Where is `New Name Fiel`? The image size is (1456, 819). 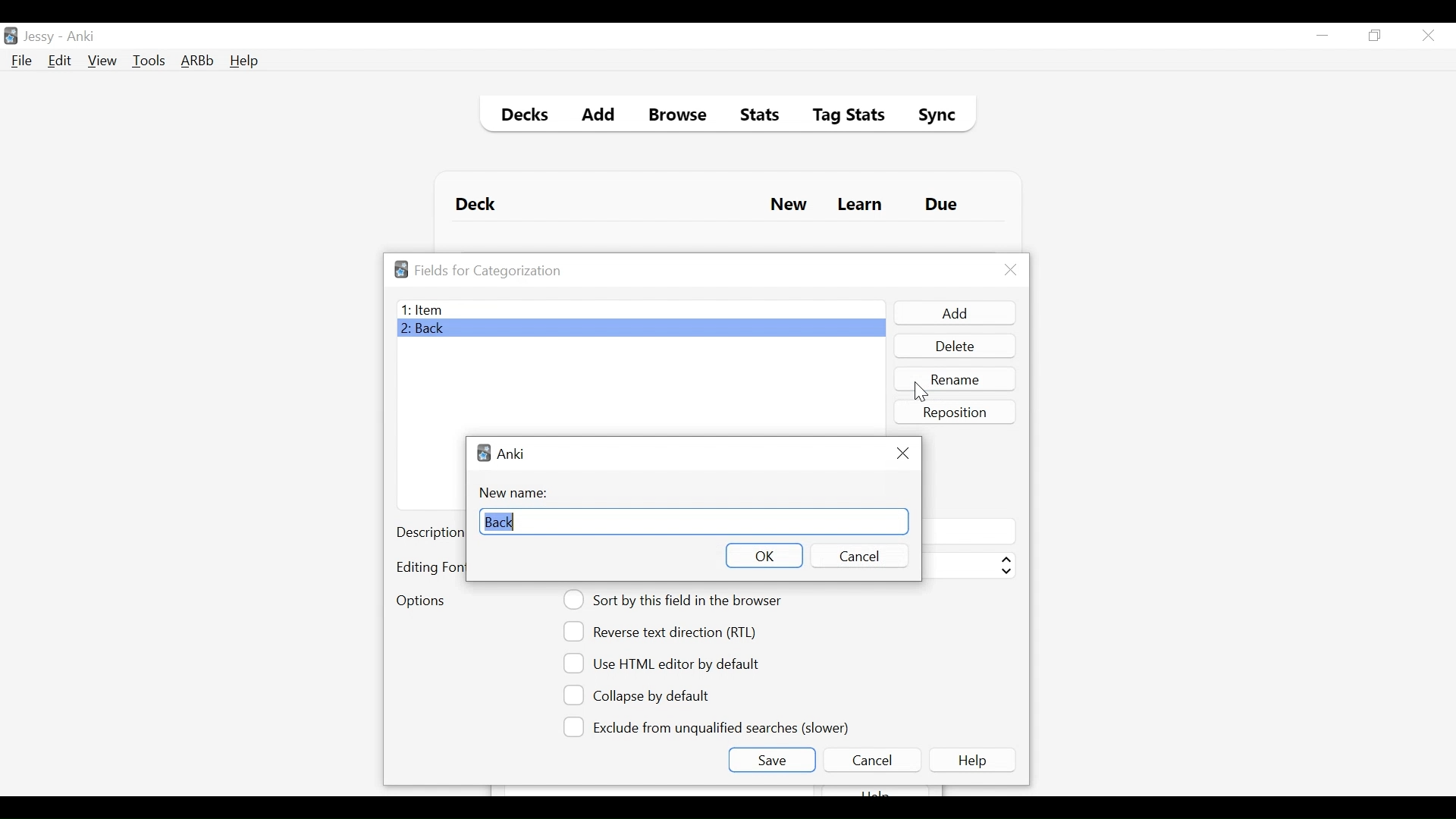 New Name Fiel is located at coordinates (693, 522).